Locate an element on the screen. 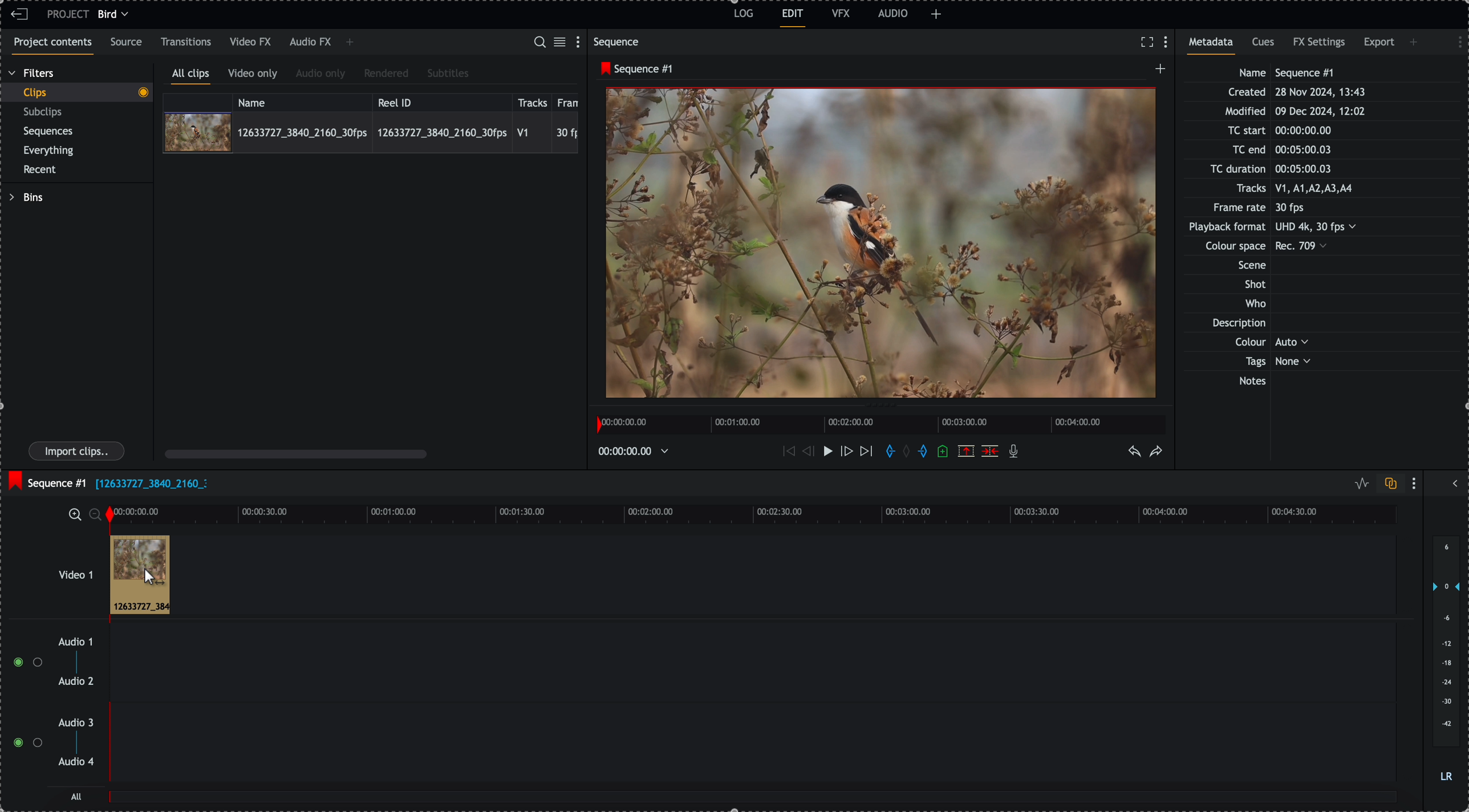 The width and height of the screenshot is (1469, 812). move backward is located at coordinates (787, 453).